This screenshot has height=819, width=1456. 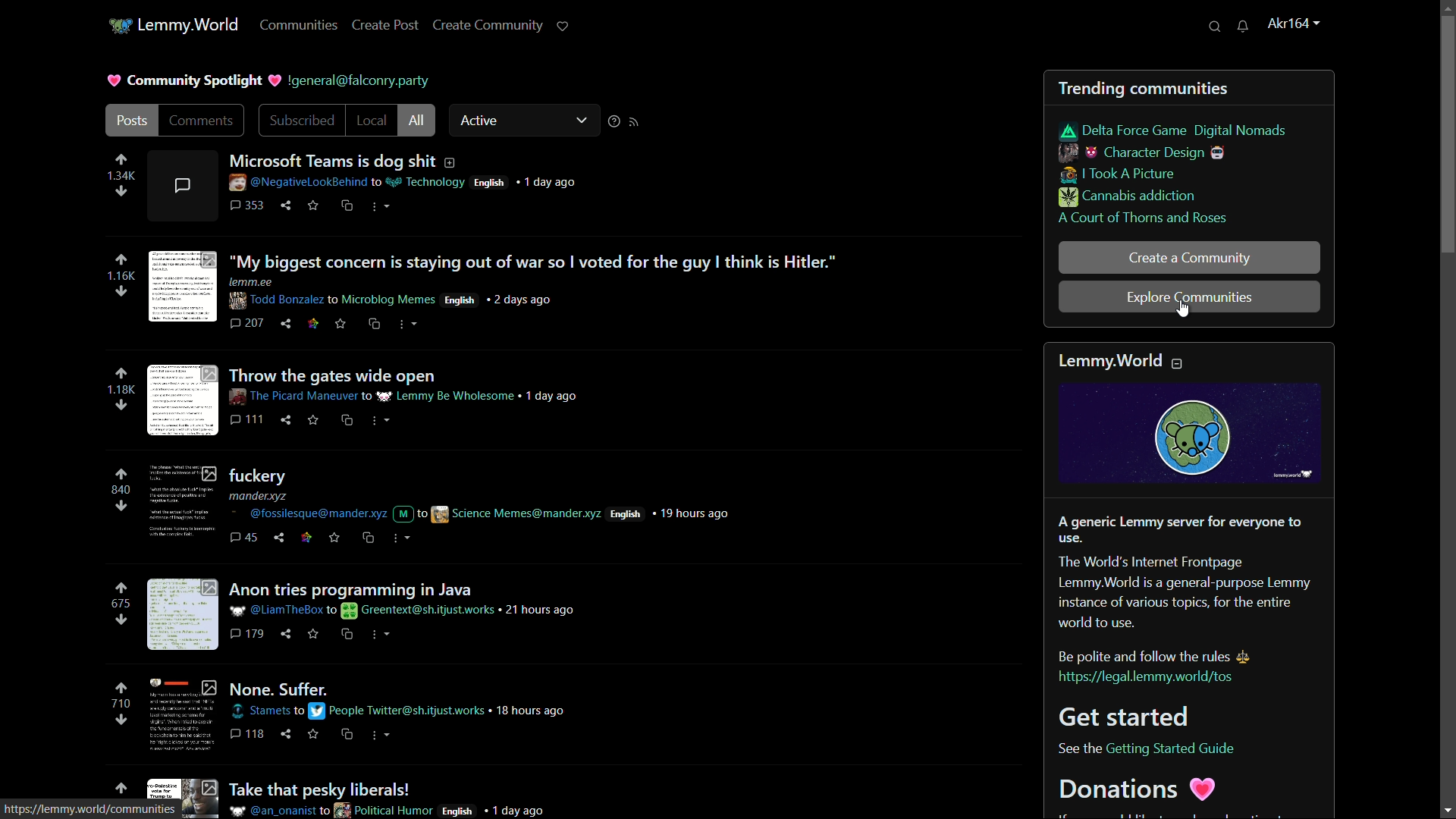 What do you see at coordinates (121, 406) in the screenshot?
I see `downvote` at bounding box center [121, 406].